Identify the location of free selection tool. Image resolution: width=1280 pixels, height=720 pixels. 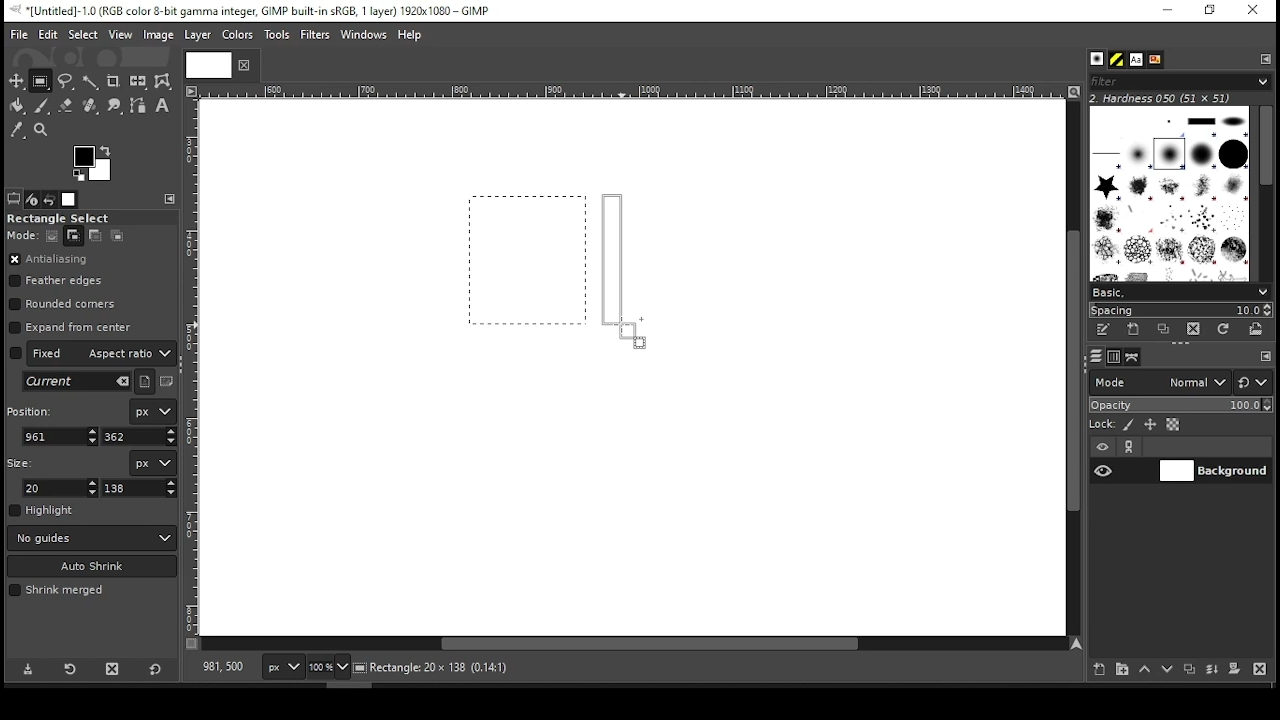
(68, 82).